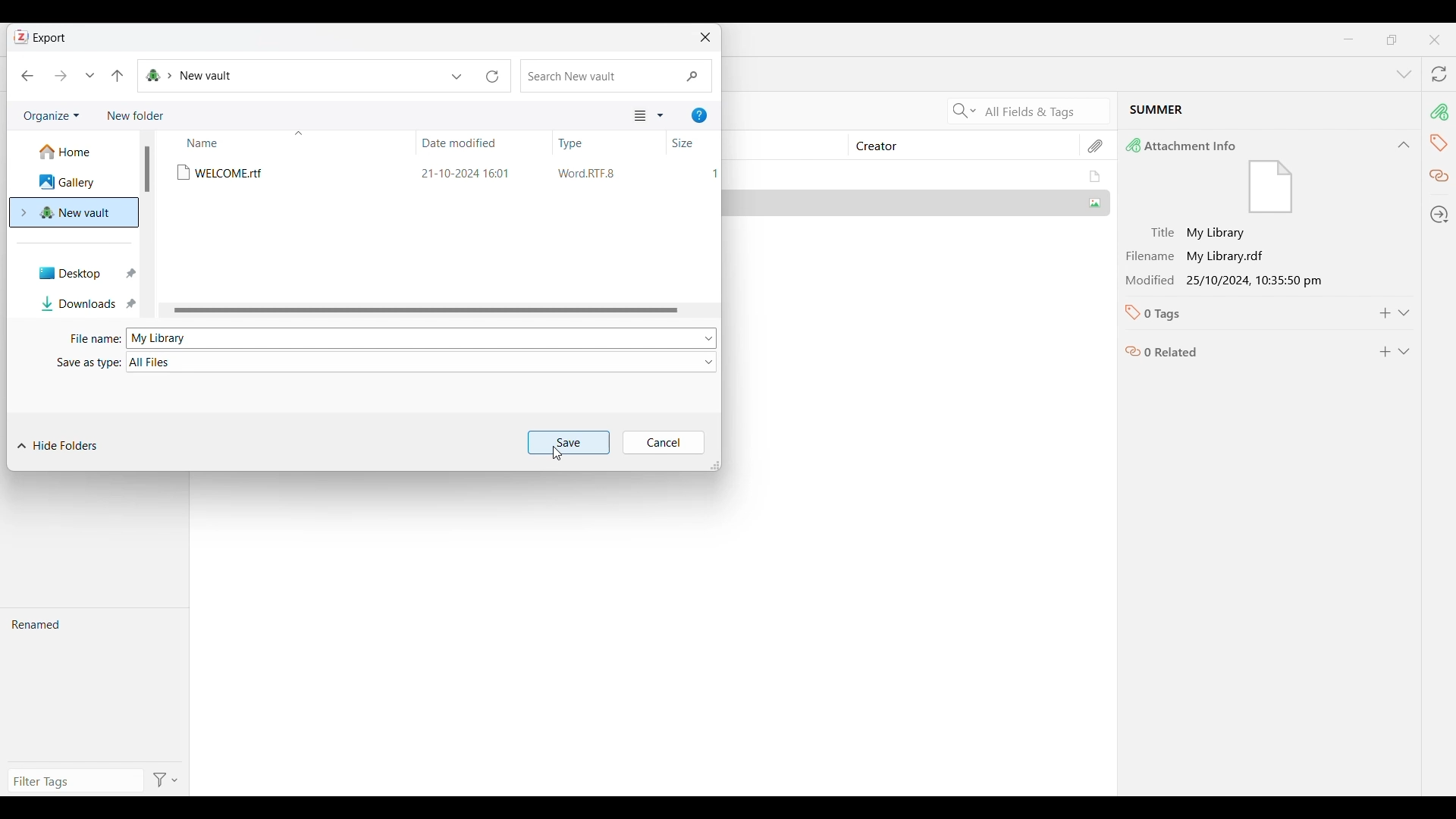 This screenshot has height=819, width=1456. What do you see at coordinates (700, 116) in the screenshot?
I see `Get help` at bounding box center [700, 116].